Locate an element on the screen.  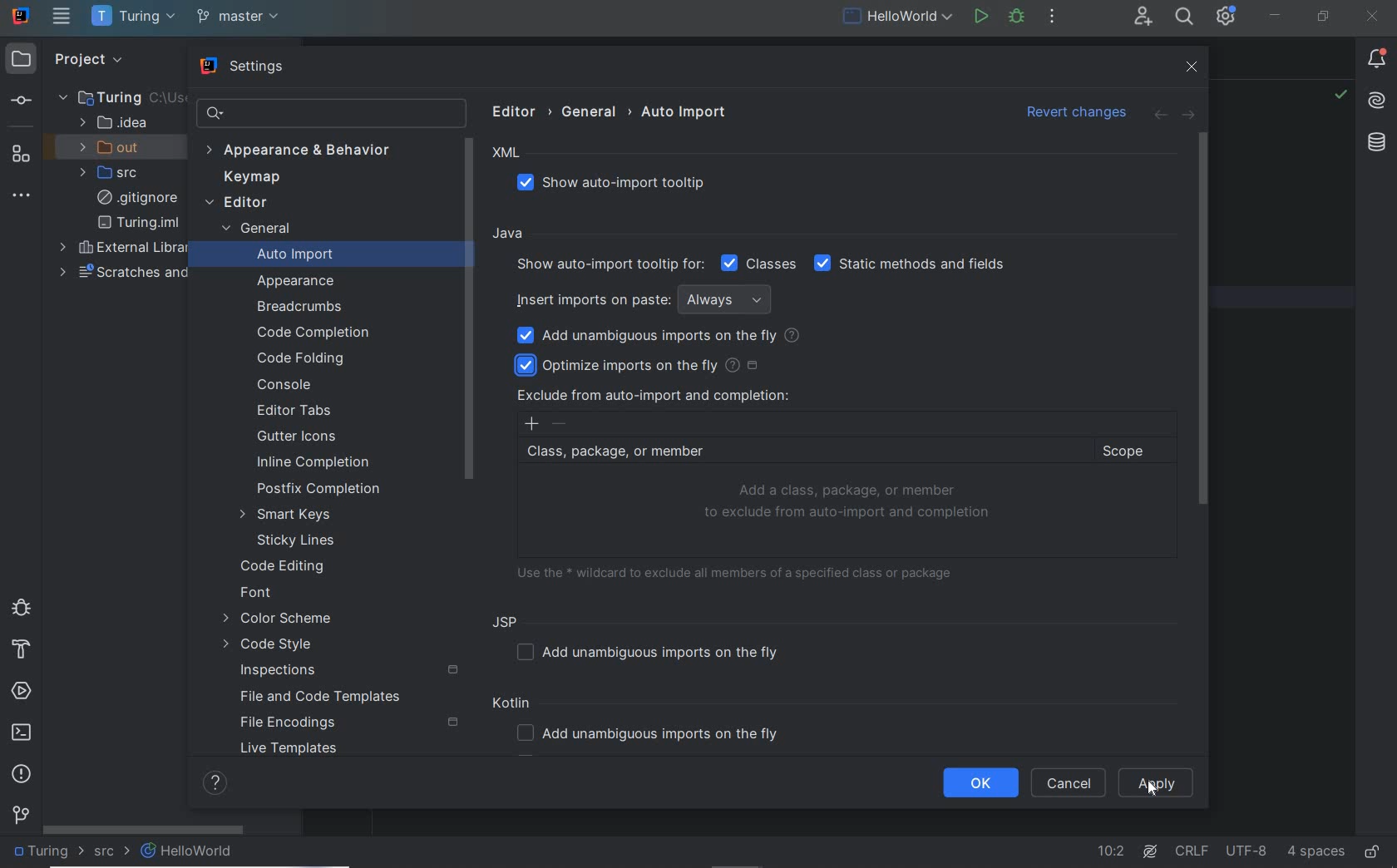
EDITOR TABS is located at coordinates (299, 412).